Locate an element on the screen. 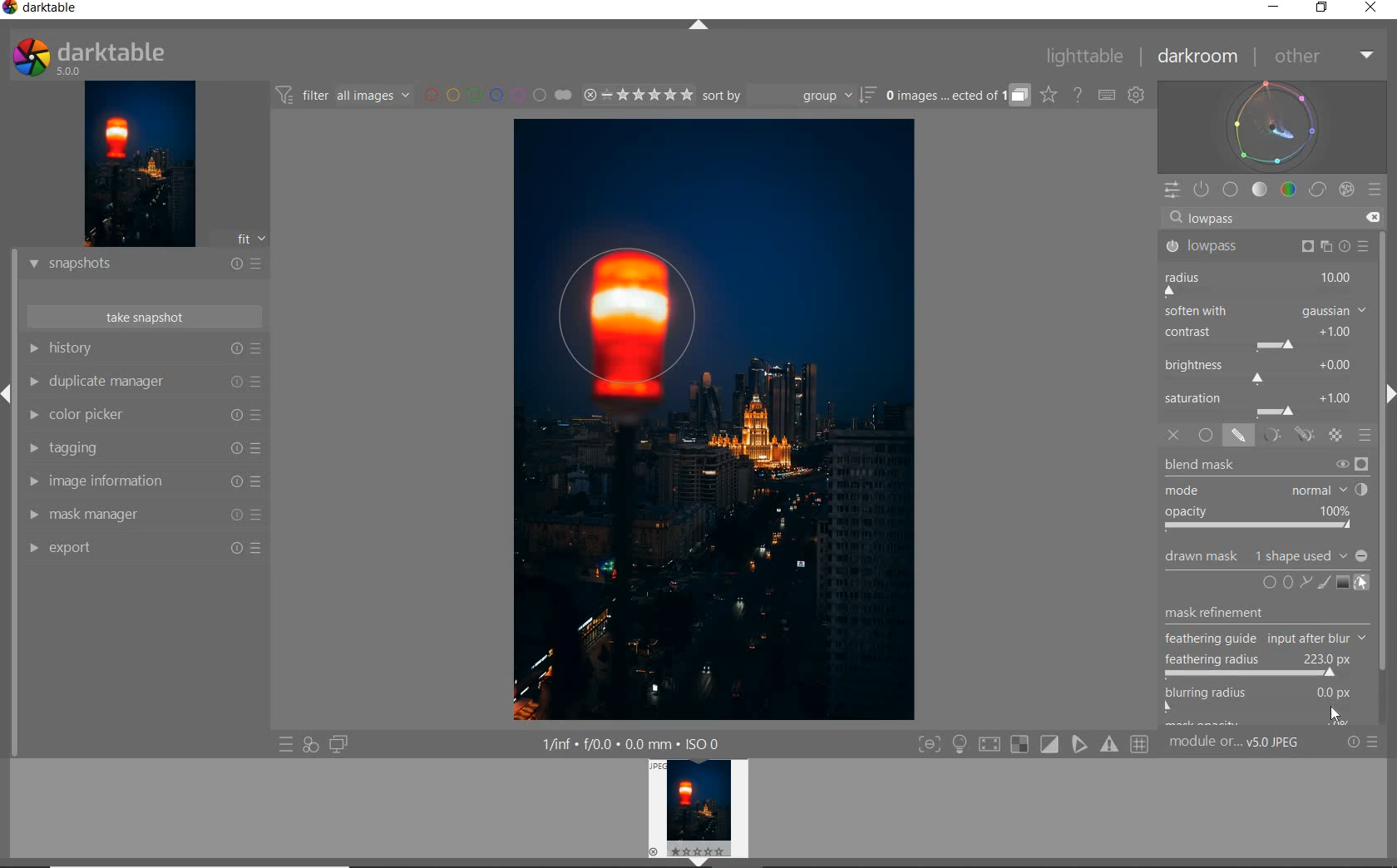  SATURATION is located at coordinates (1266, 403).